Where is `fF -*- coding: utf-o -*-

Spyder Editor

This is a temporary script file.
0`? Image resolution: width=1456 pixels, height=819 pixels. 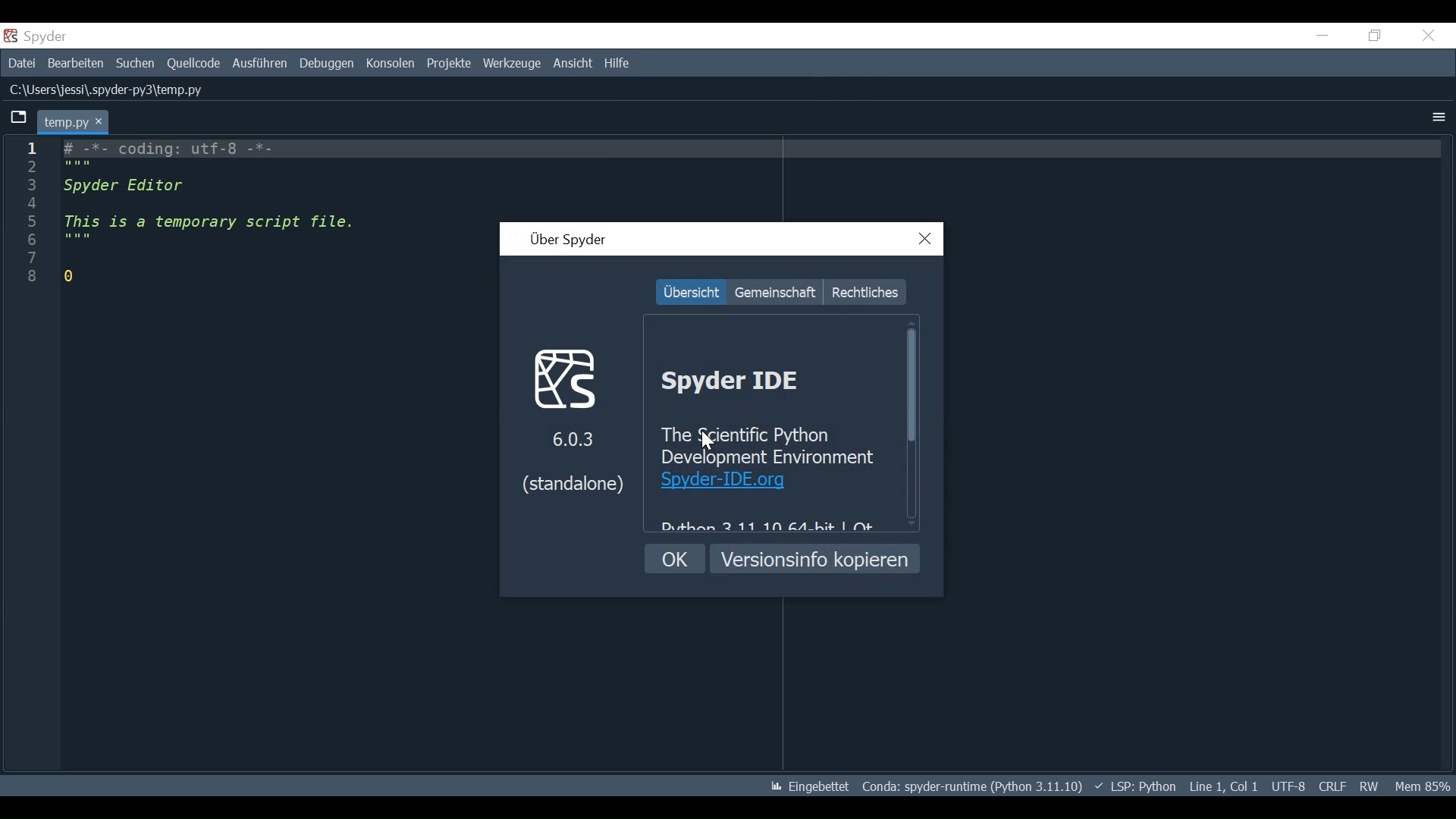
fF -*- coding: utf-o -*-

Spyder Editor

This is a temporary script file.
0 is located at coordinates (215, 215).